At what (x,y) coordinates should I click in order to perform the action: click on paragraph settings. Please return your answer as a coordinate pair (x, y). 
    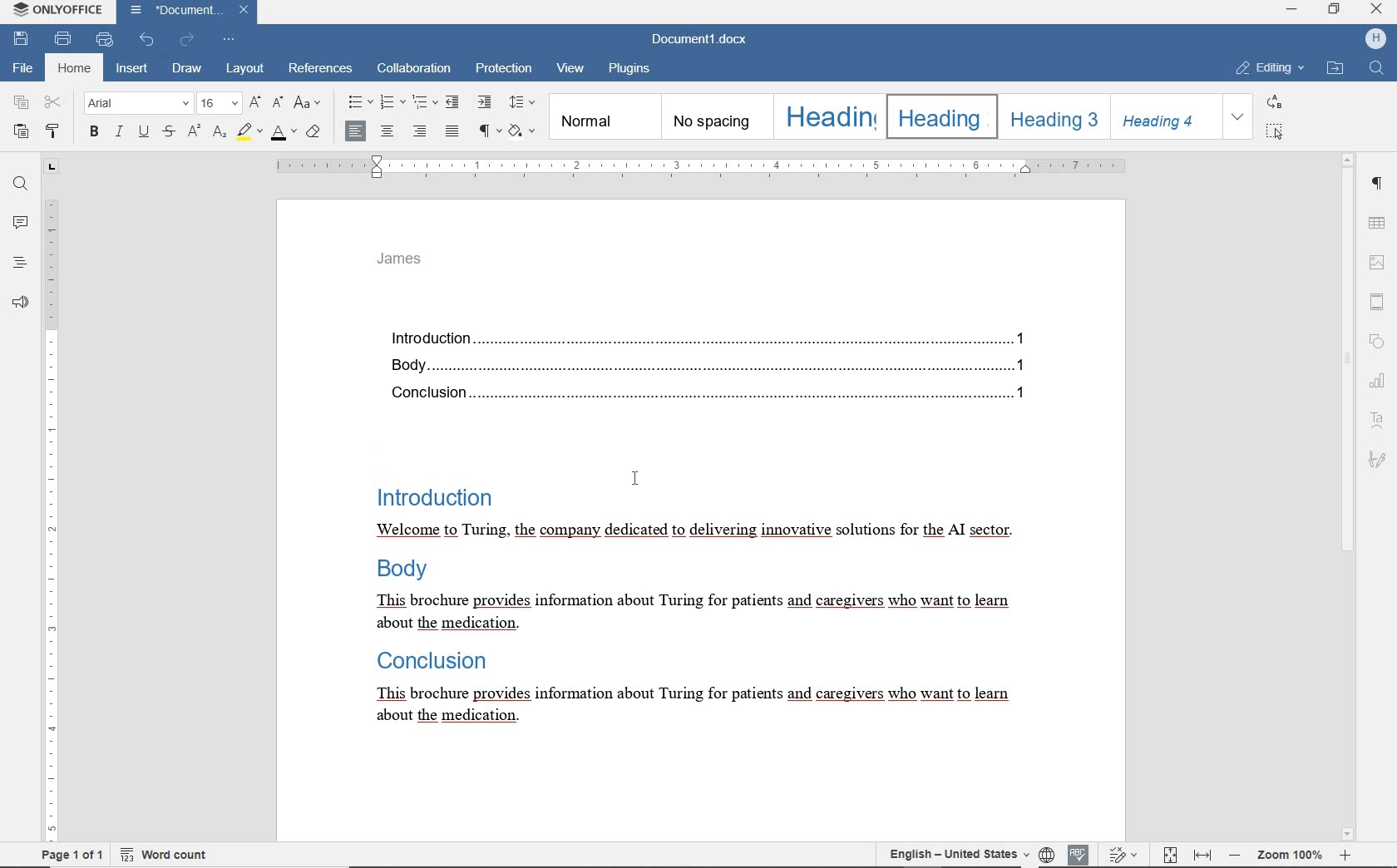
    Looking at the image, I should click on (1379, 186).